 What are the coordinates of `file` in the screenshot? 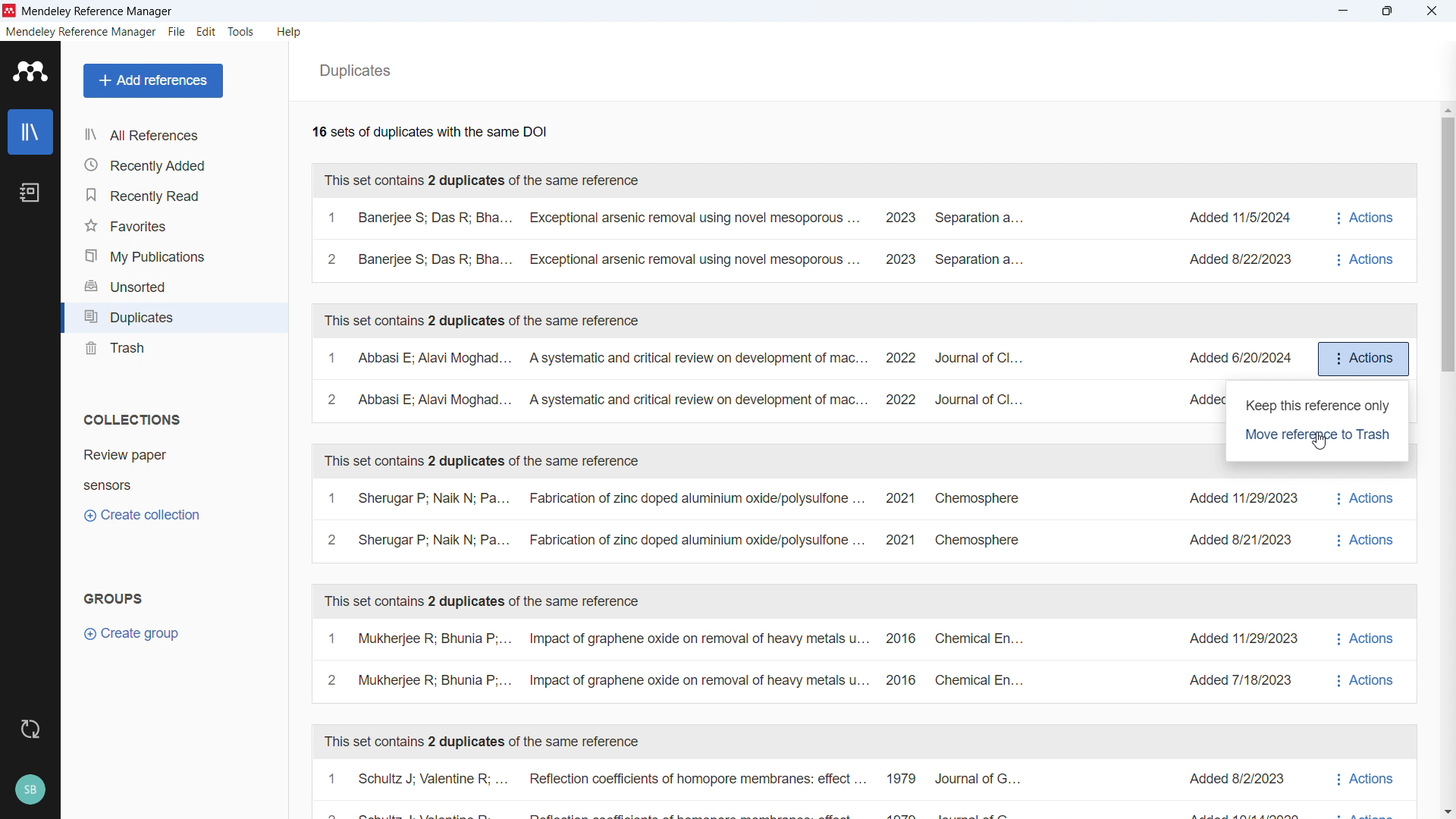 It's located at (176, 32).